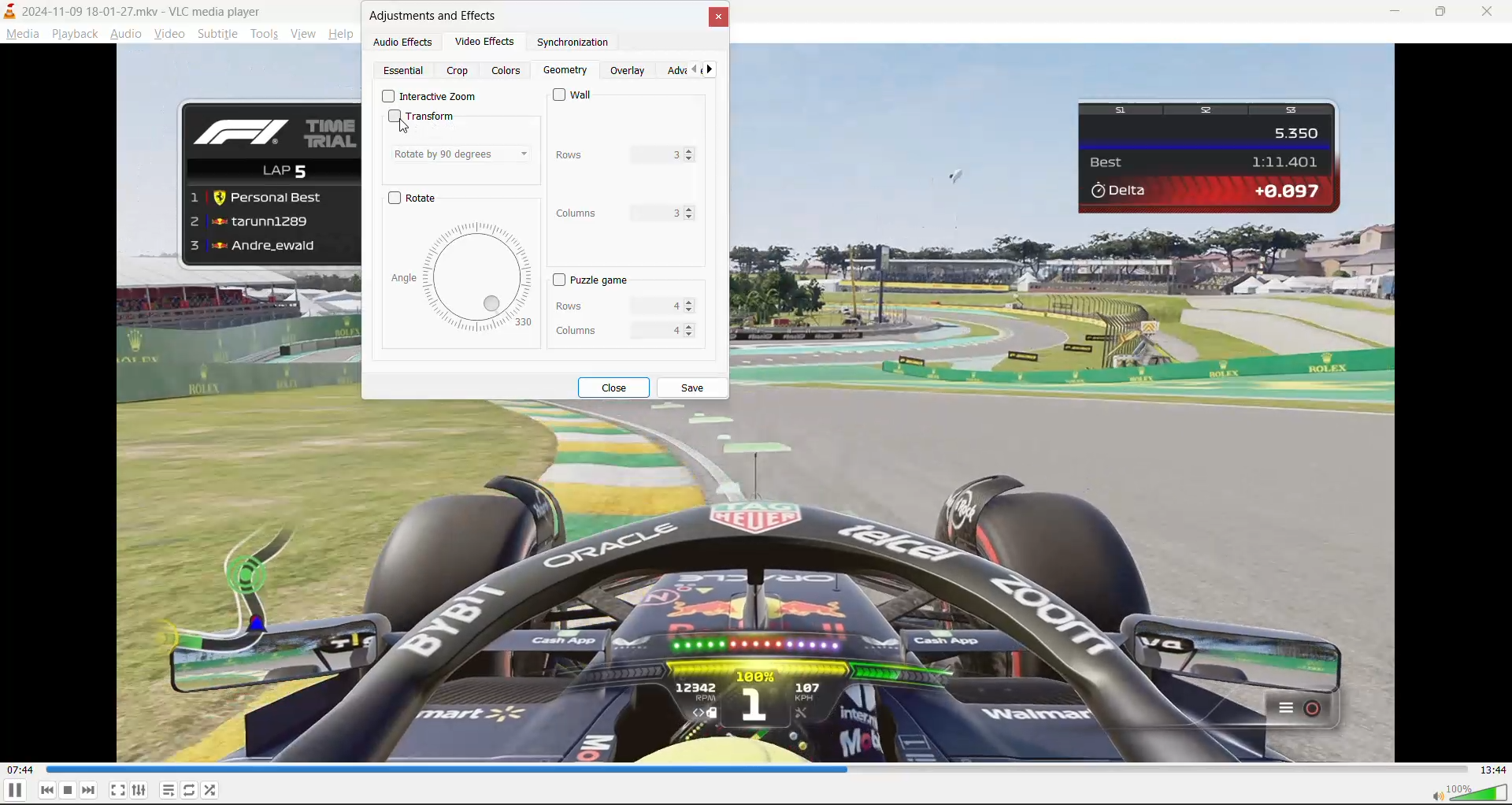 The width and height of the screenshot is (1512, 805). Describe the element at coordinates (1394, 13) in the screenshot. I see `minimize` at that location.